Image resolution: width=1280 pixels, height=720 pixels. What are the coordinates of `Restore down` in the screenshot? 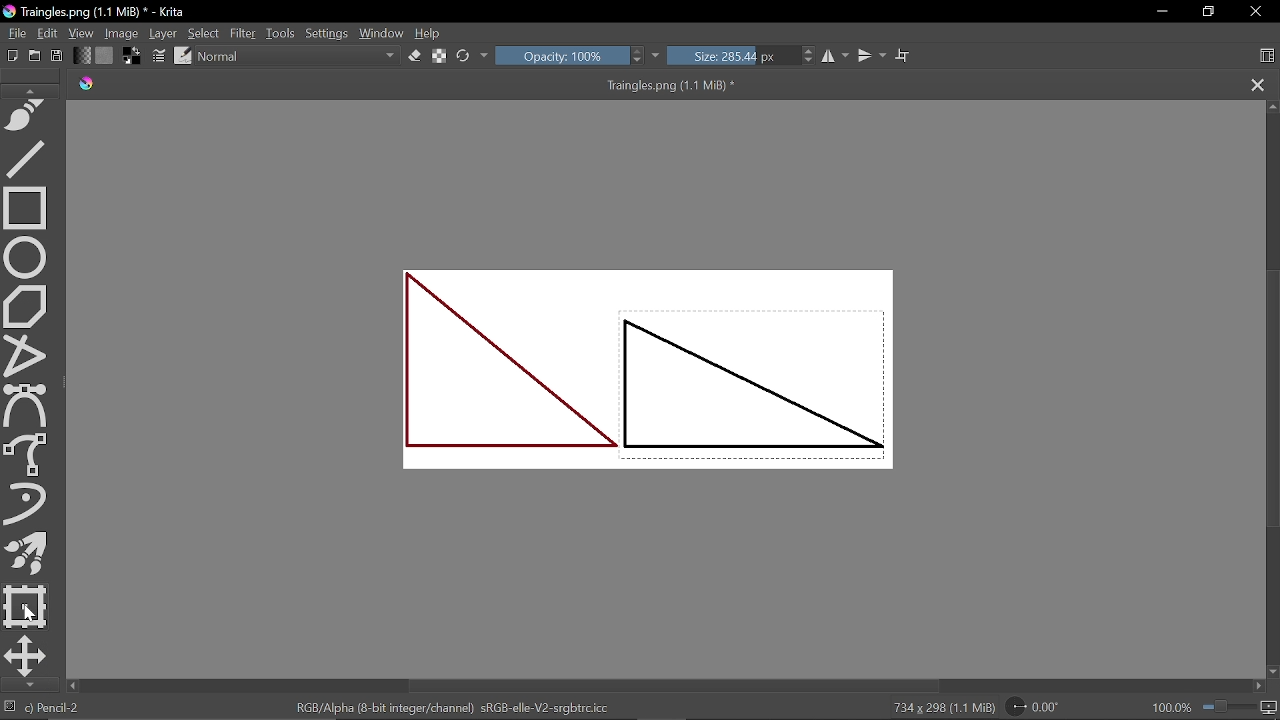 It's located at (1206, 13).